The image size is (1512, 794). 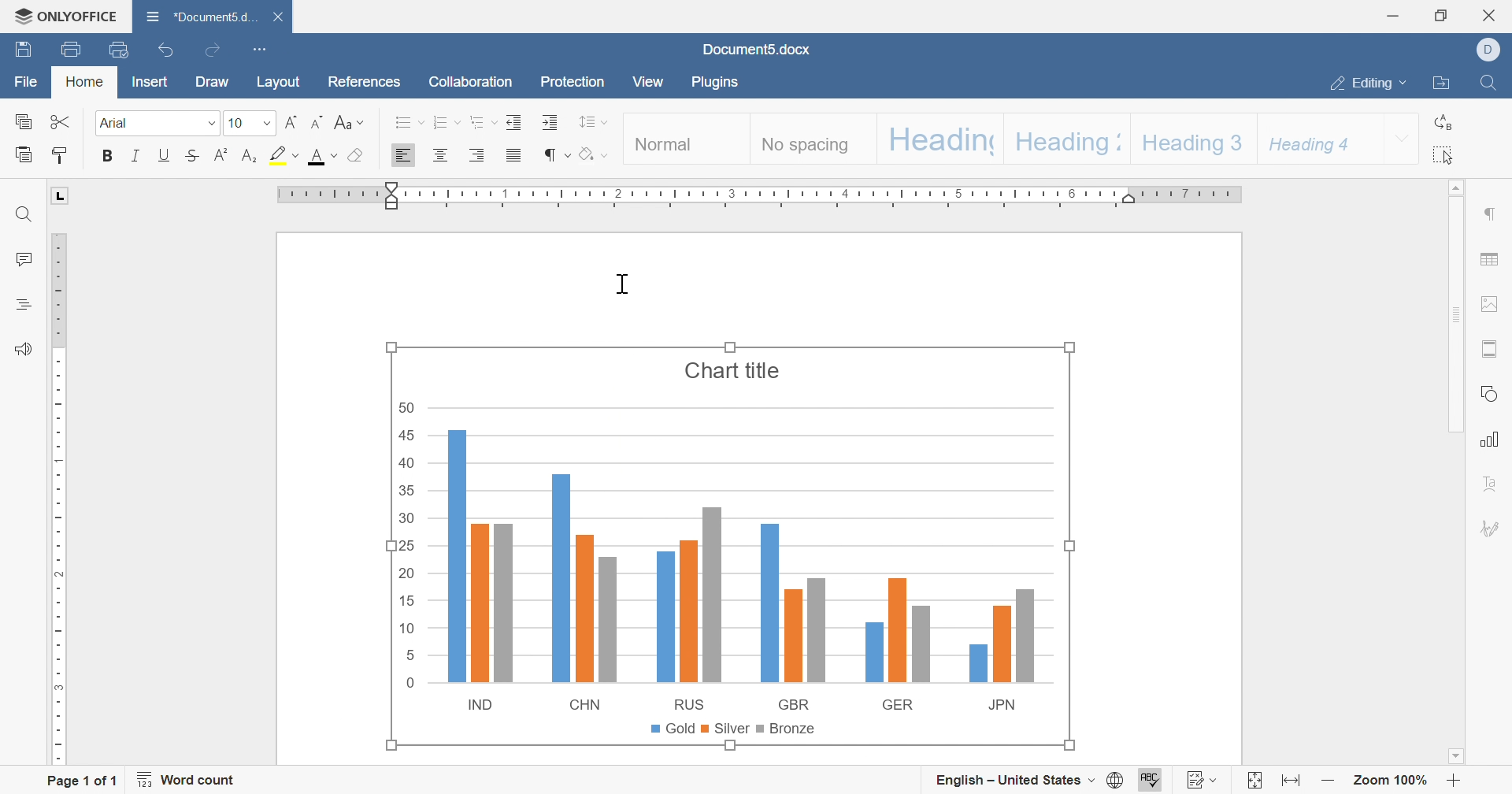 I want to click on onlyoffice, so click(x=66, y=16).